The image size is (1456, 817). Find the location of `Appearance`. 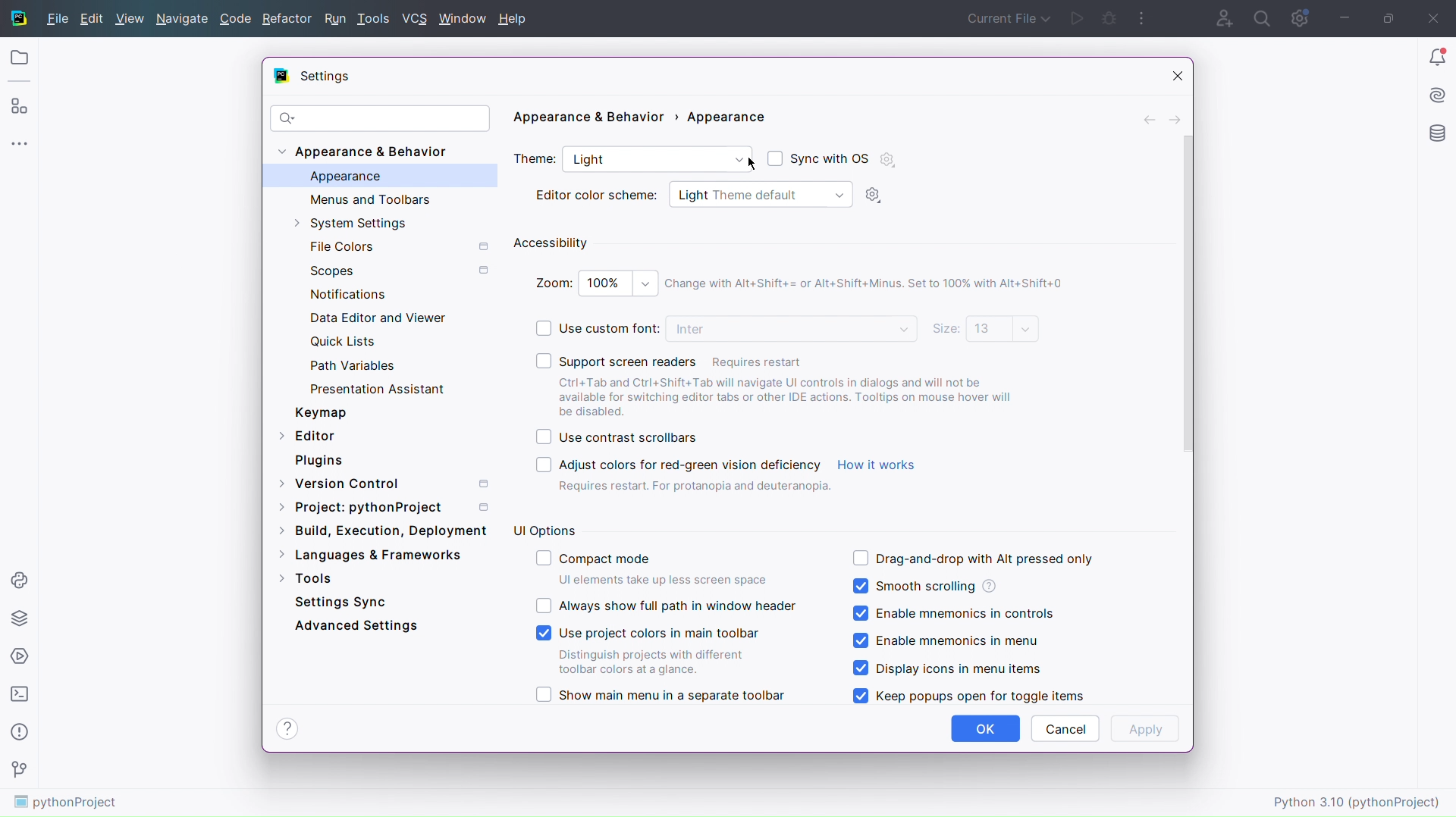

Appearance is located at coordinates (345, 177).